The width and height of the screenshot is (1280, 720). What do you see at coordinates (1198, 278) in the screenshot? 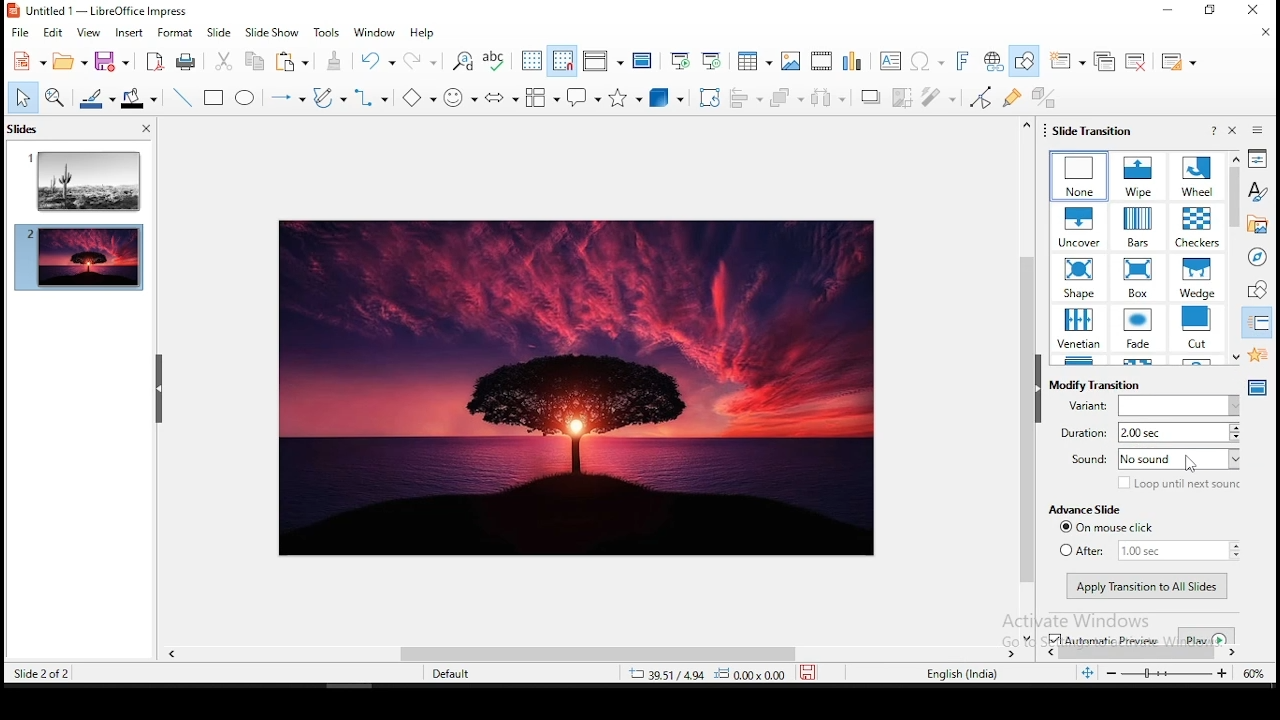
I see `transition effects` at bounding box center [1198, 278].